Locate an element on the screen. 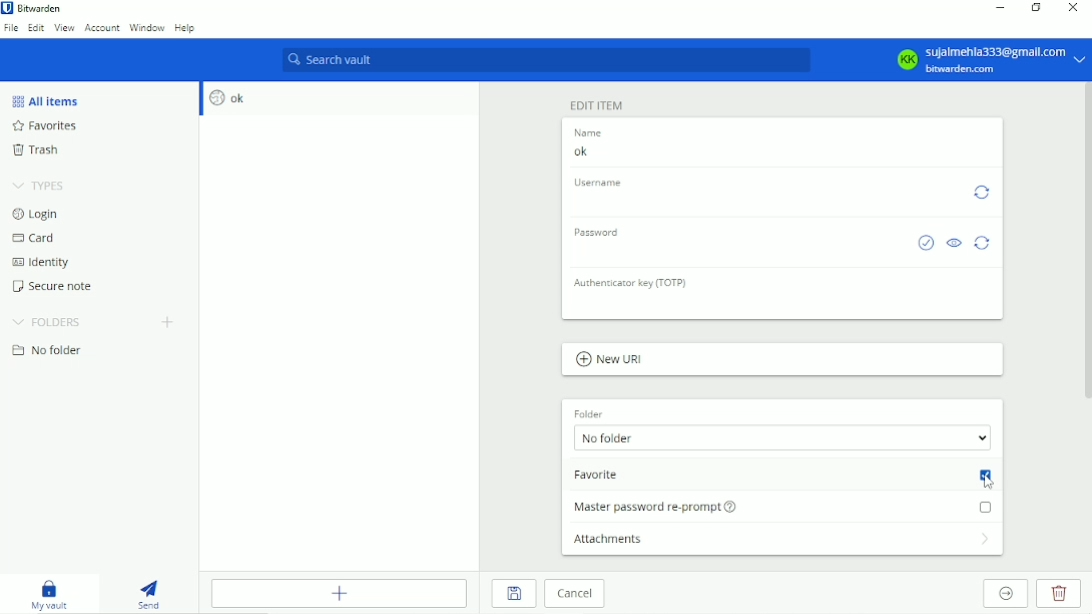 The height and width of the screenshot is (614, 1092). Window is located at coordinates (147, 28).